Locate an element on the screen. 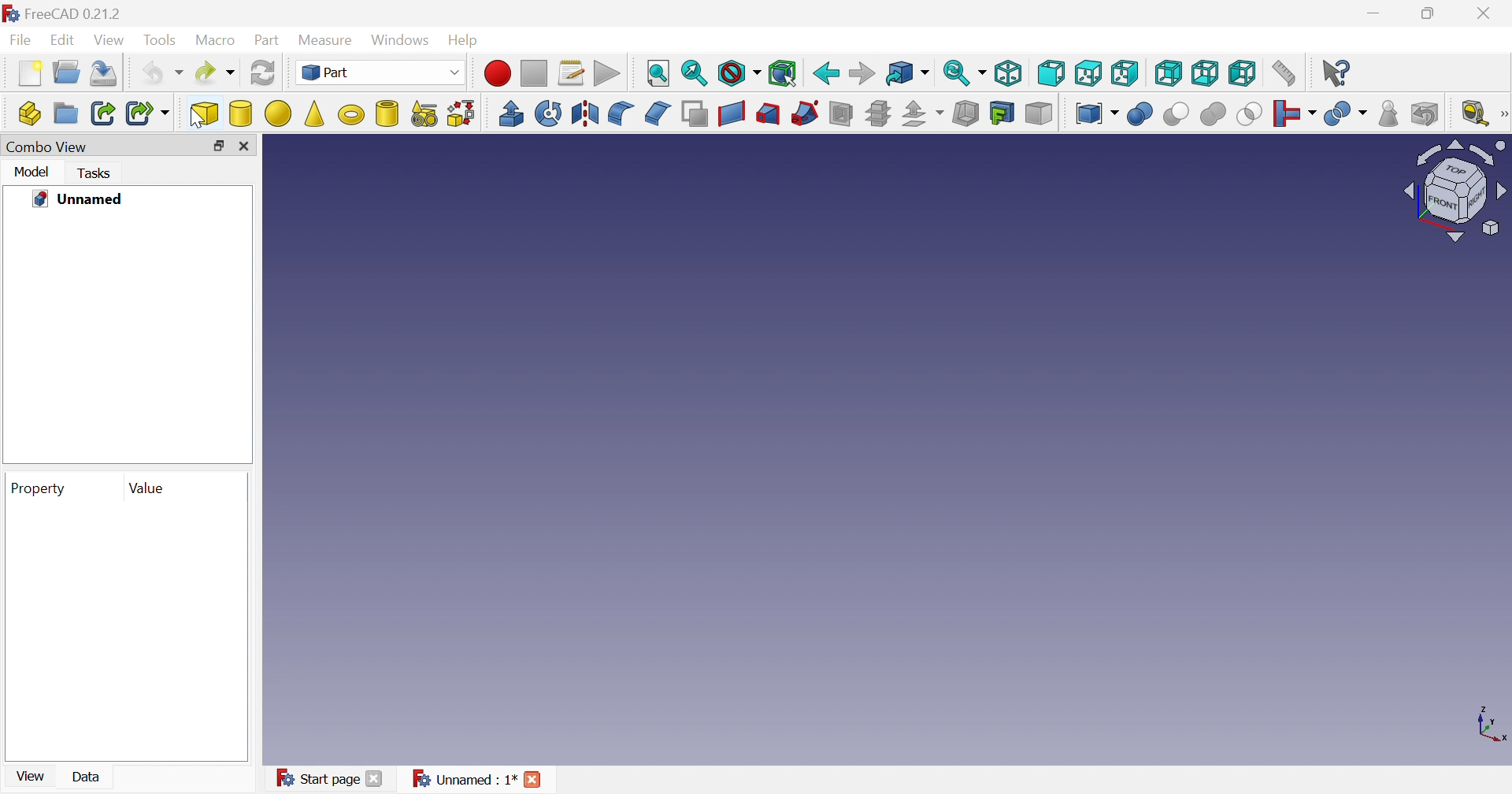 Image resolution: width=1512 pixels, height=794 pixels. Fit all is located at coordinates (659, 74).